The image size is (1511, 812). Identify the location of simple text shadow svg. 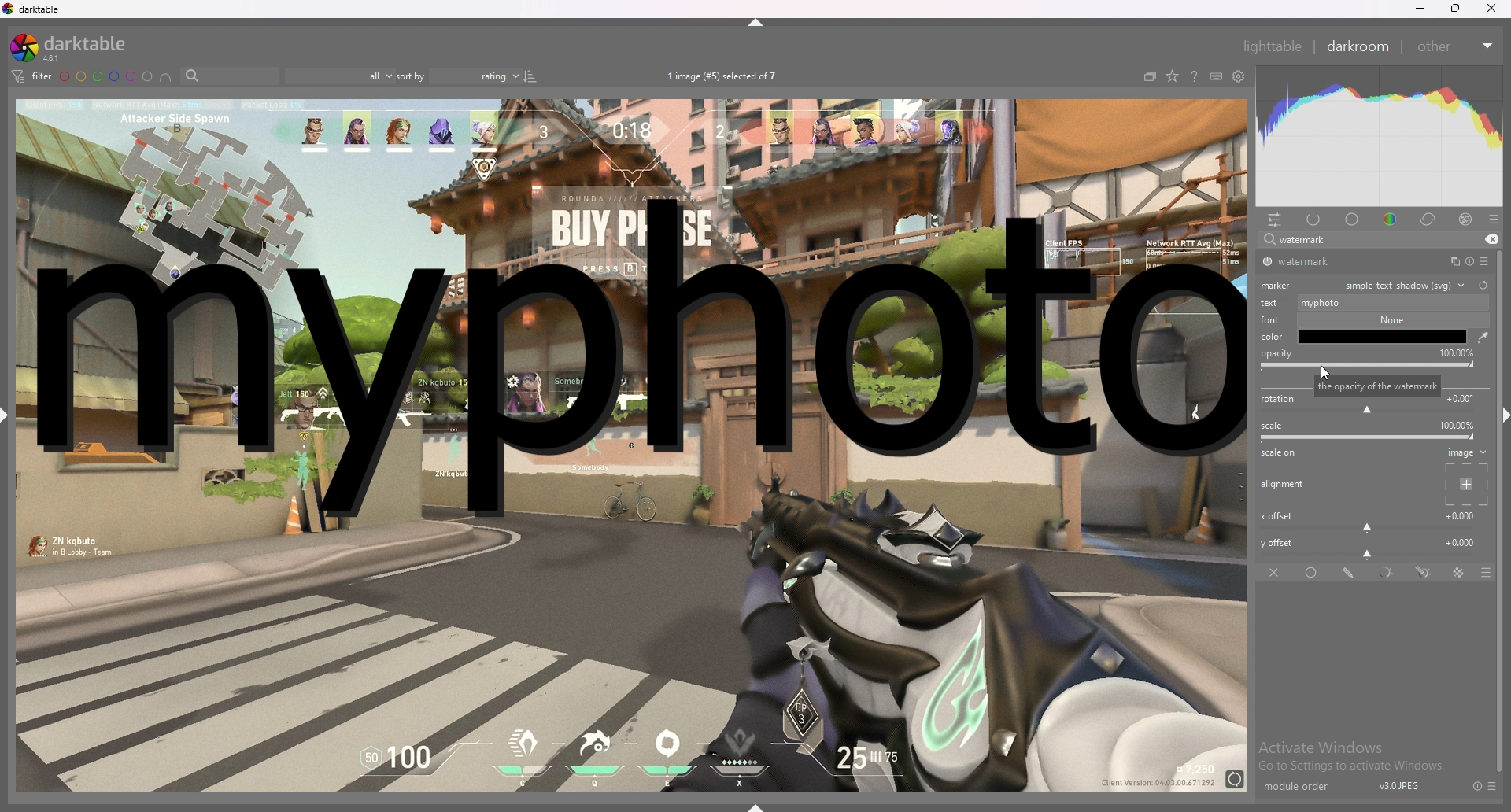
(1406, 285).